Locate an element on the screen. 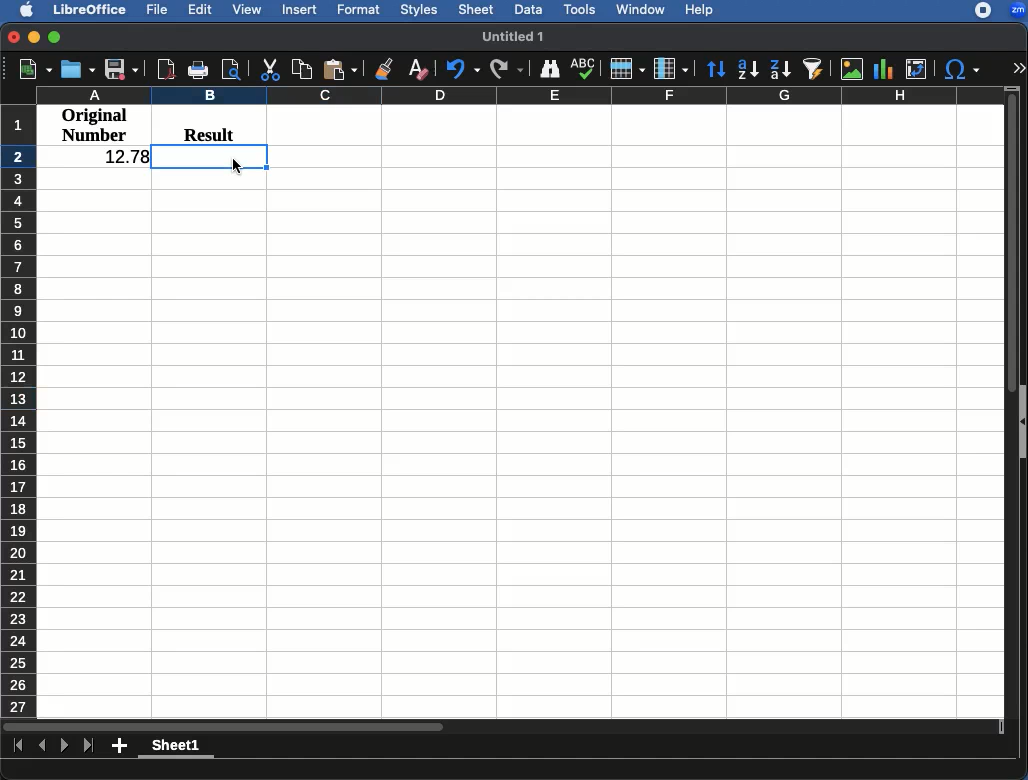 Image resolution: width=1028 pixels, height=780 pixels. Window is located at coordinates (641, 10).